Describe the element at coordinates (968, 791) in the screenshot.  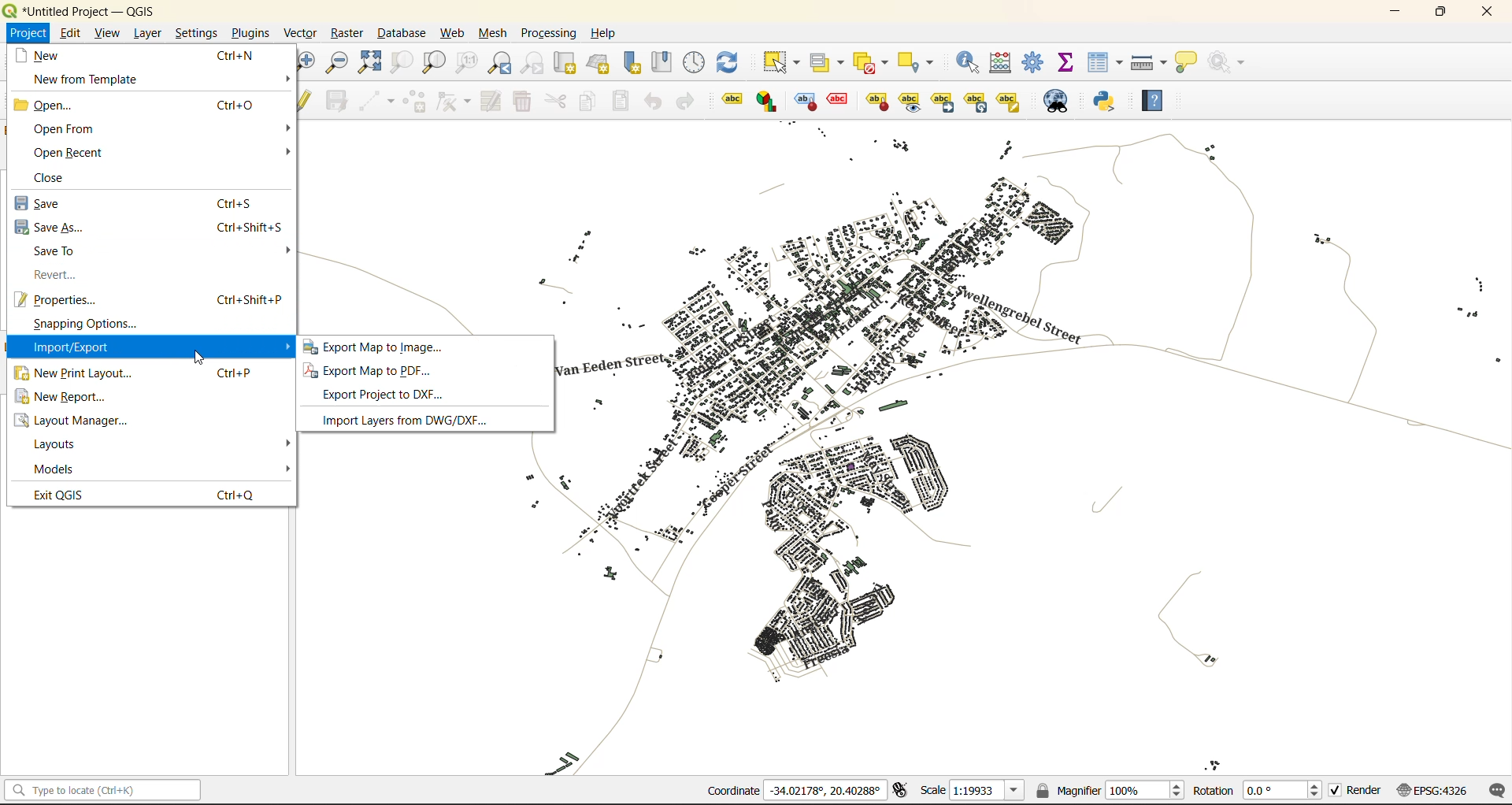
I see `scale` at that location.